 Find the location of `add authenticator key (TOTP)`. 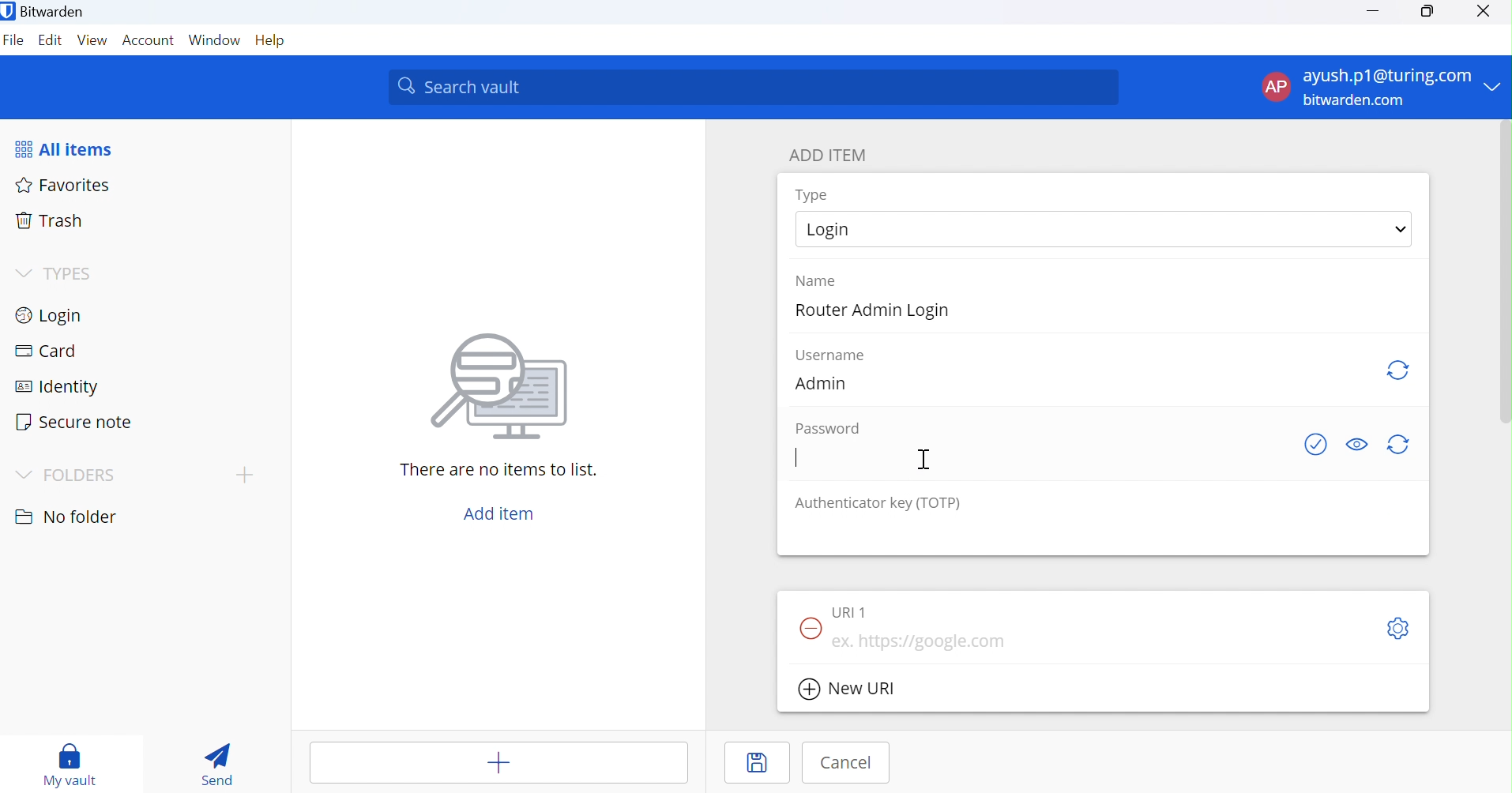

add authenticator key (TOTP) is located at coordinates (1104, 534).